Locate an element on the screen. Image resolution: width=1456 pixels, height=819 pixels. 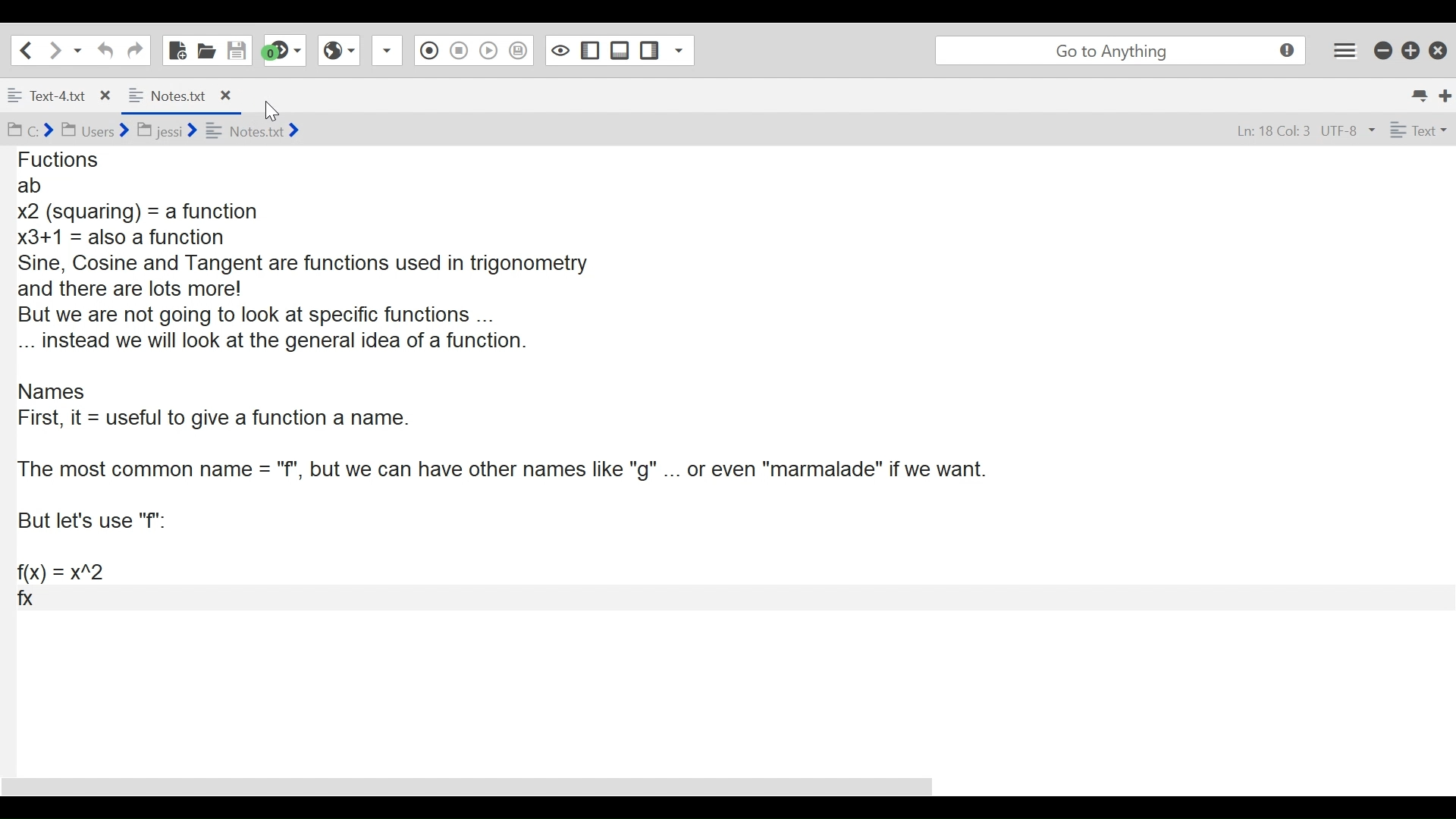
Close is located at coordinates (1437, 49).